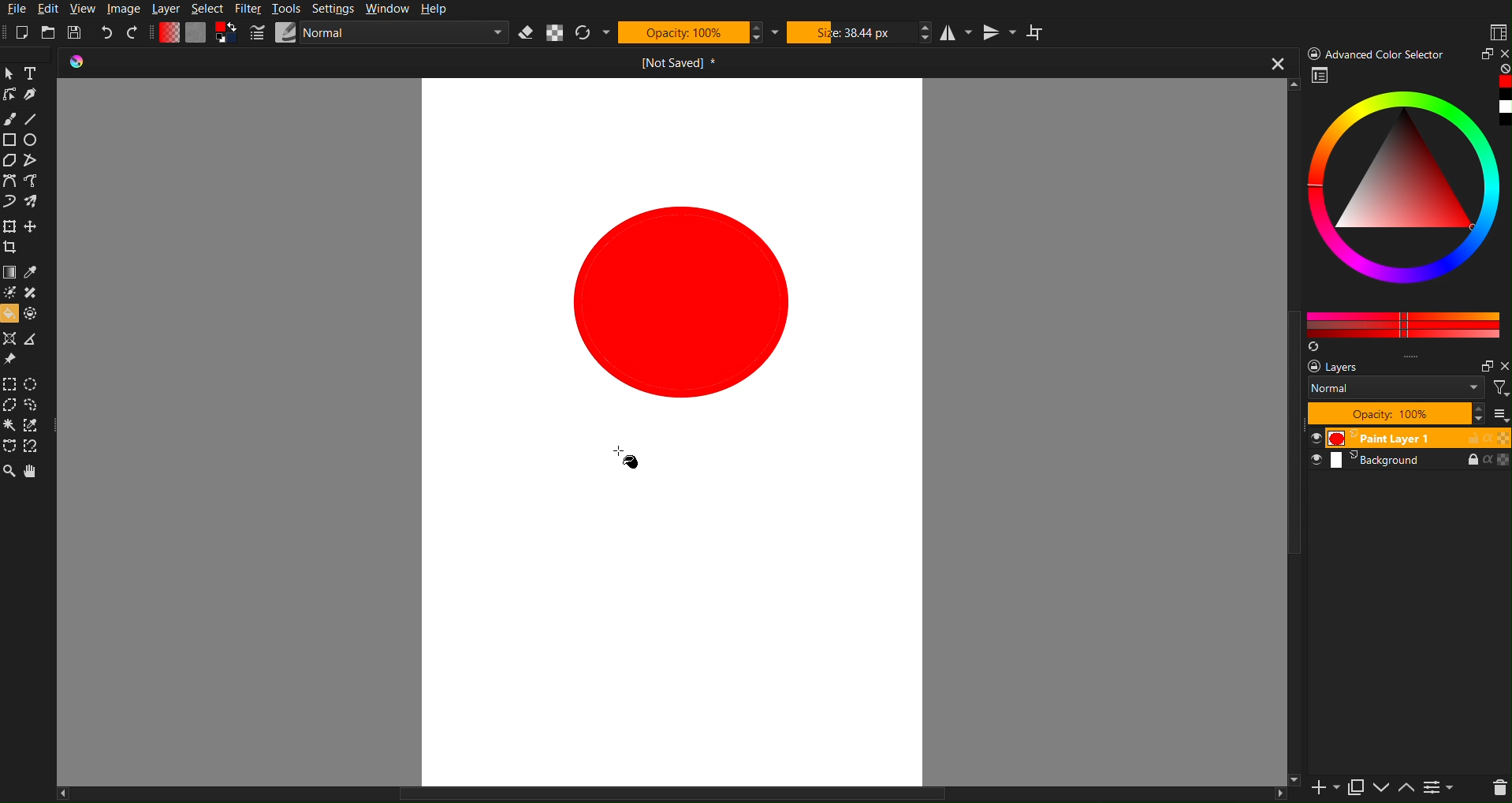  I want to click on Open Document, so click(657, 65).